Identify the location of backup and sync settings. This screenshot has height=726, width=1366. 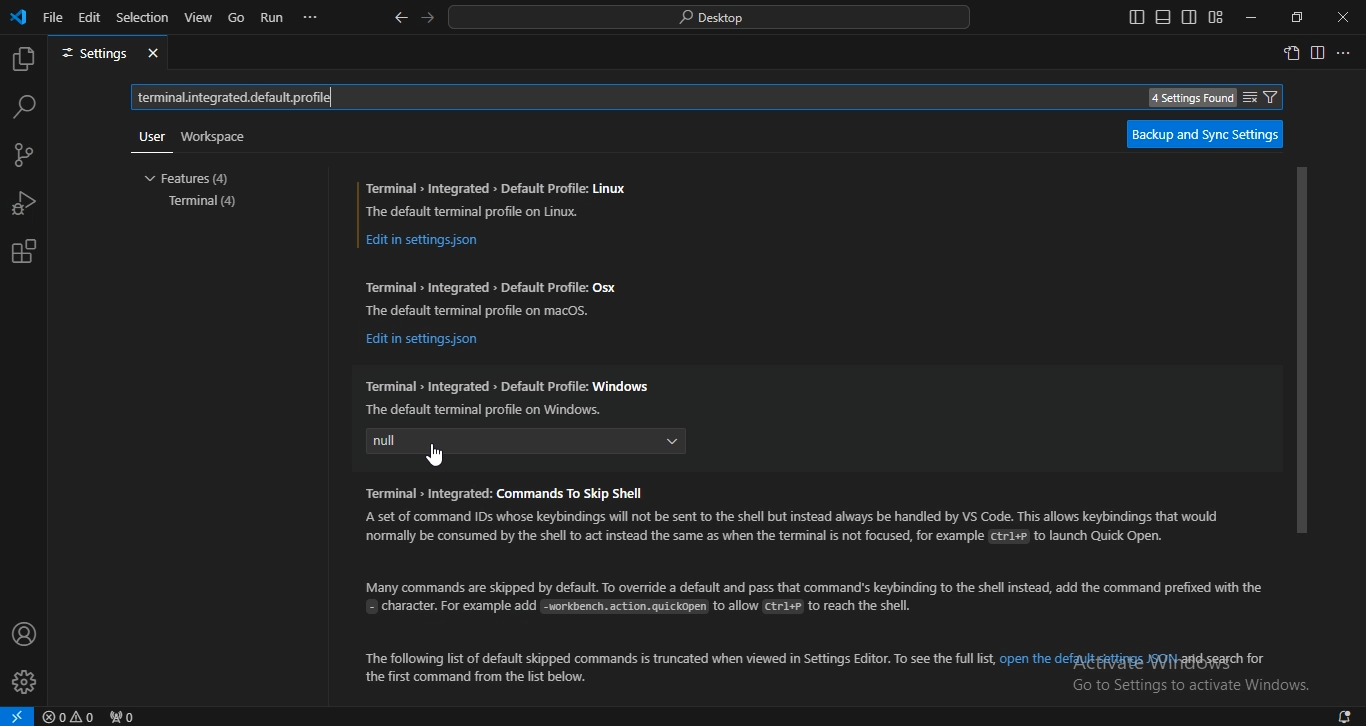
(1210, 132).